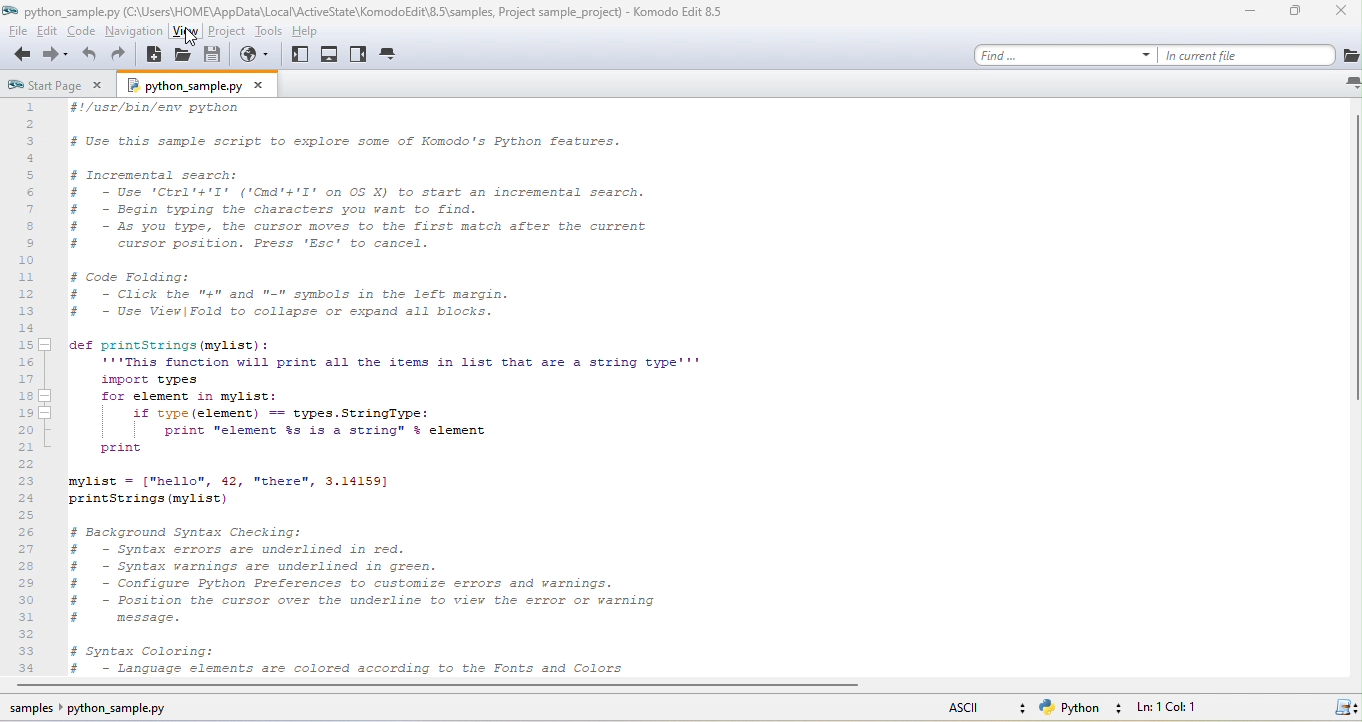 The image size is (1362, 722). What do you see at coordinates (1342, 13) in the screenshot?
I see `close` at bounding box center [1342, 13].